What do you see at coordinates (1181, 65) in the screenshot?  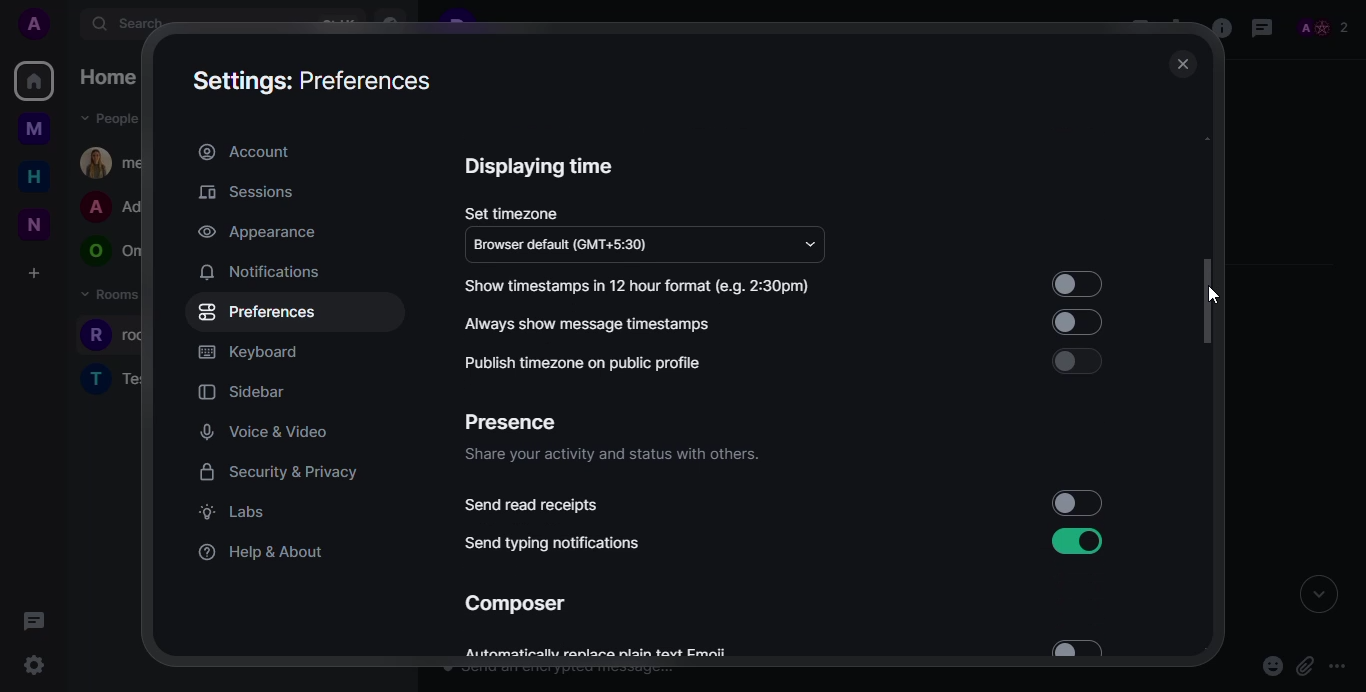 I see `close` at bounding box center [1181, 65].